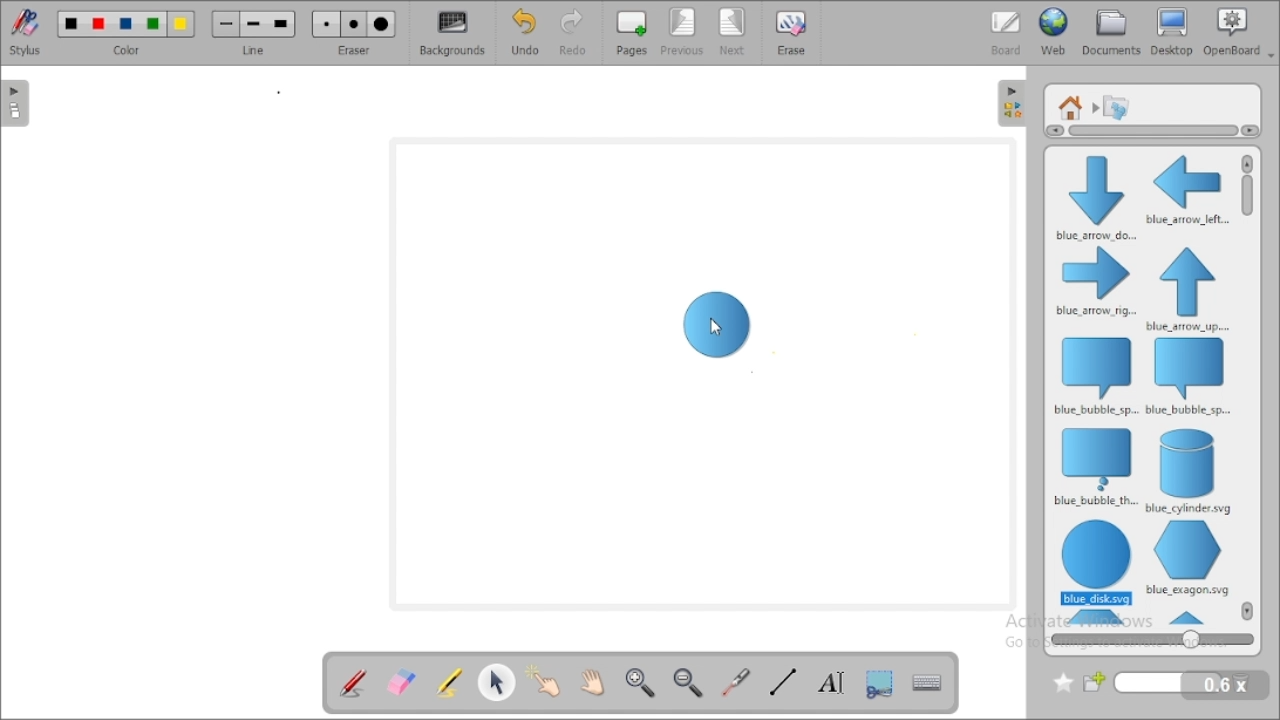 The image size is (1280, 720). Describe the element at coordinates (928, 681) in the screenshot. I see `display virtual keyboard` at that location.